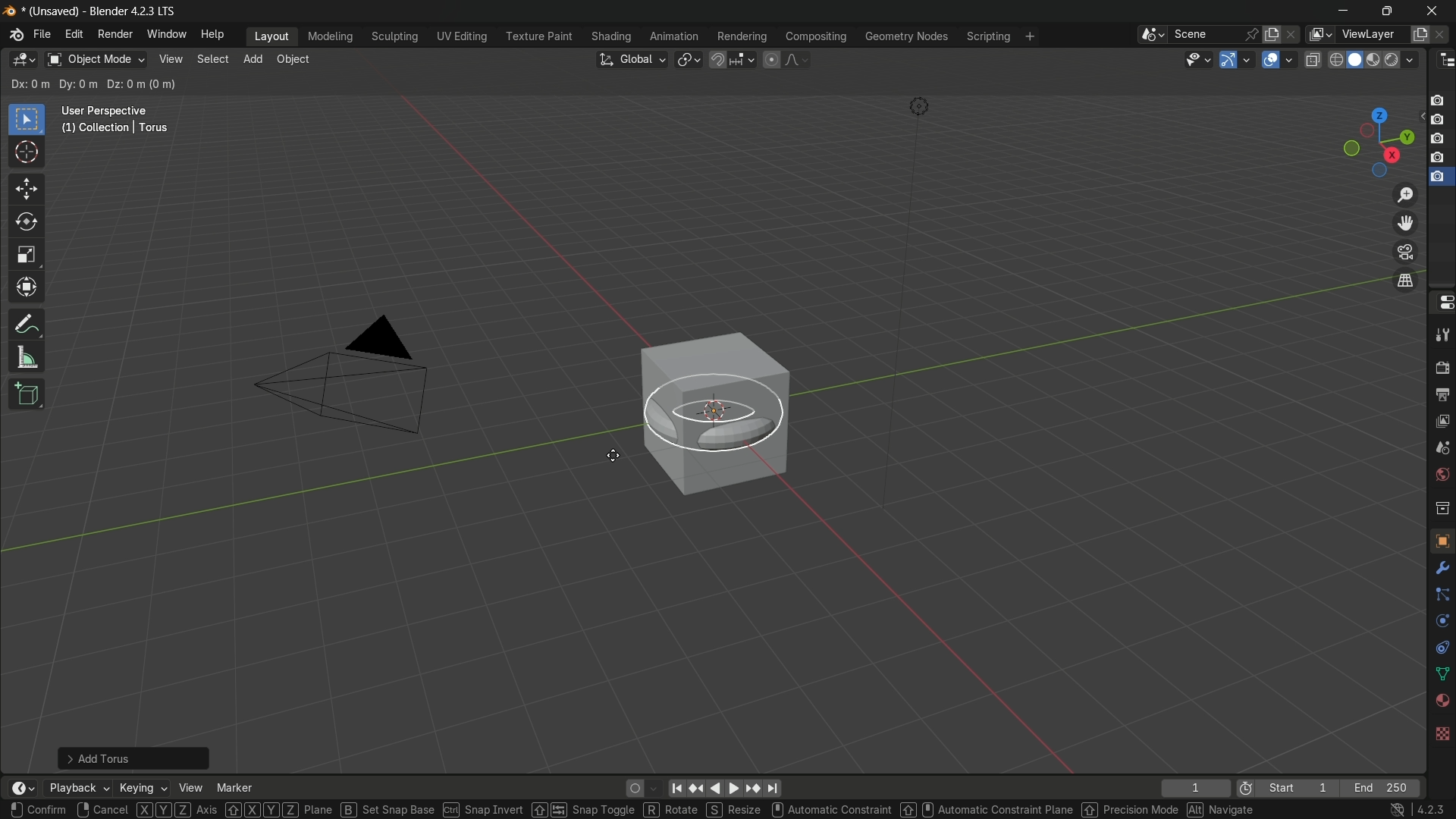  What do you see at coordinates (344, 375) in the screenshot?
I see `camera` at bounding box center [344, 375].